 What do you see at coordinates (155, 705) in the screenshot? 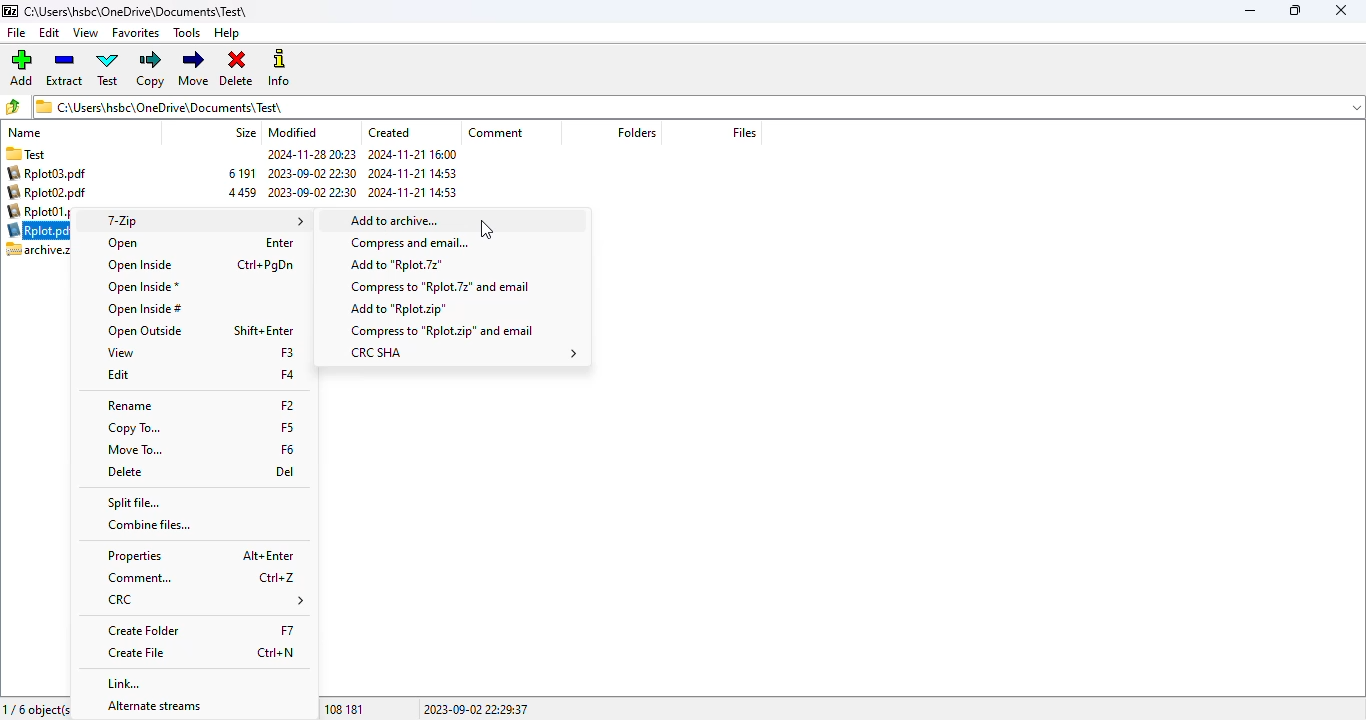
I see `alternate streams` at bounding box center [155, 705].